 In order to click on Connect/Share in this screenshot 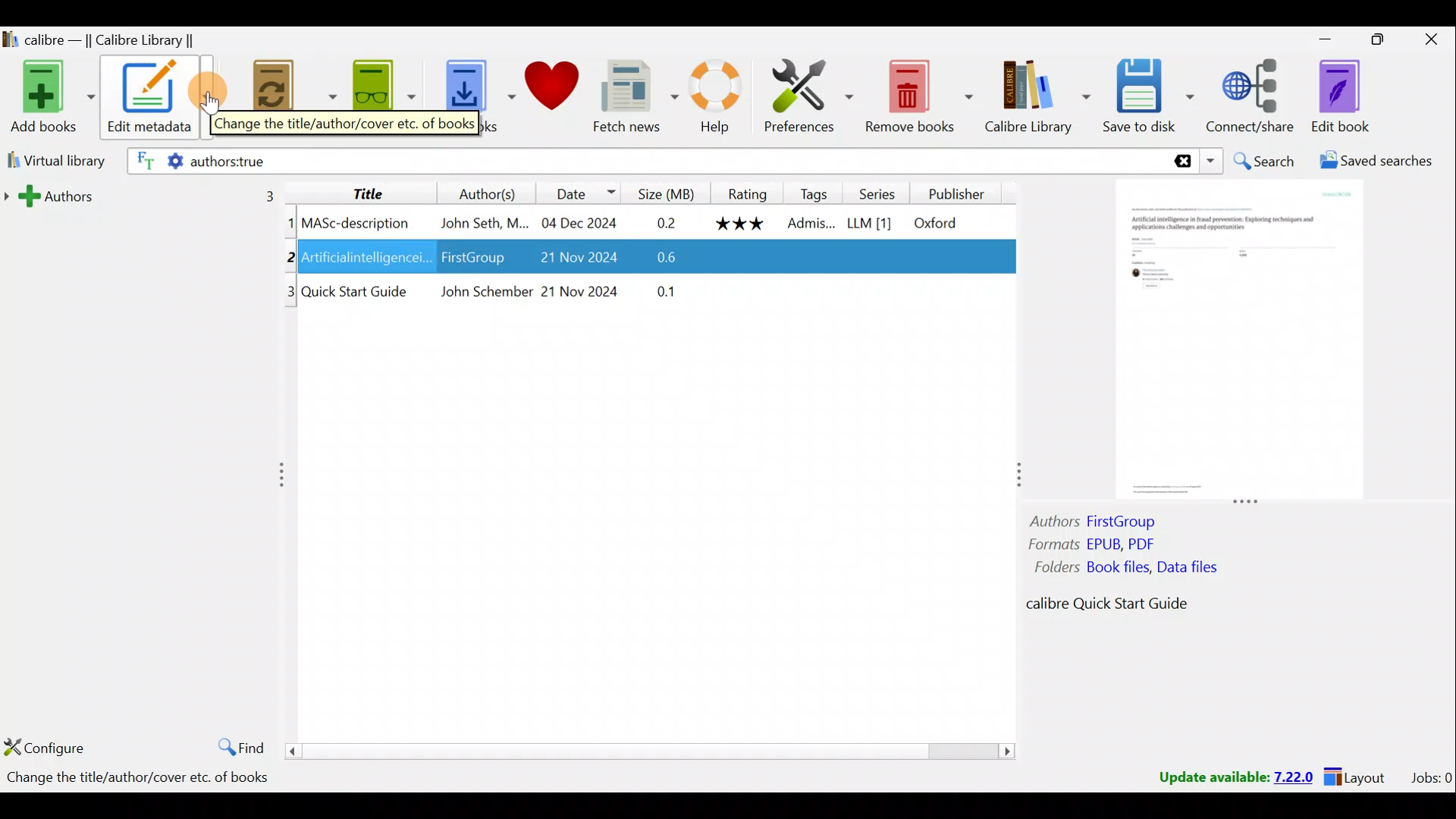, I will do `click(1253, 102)`.